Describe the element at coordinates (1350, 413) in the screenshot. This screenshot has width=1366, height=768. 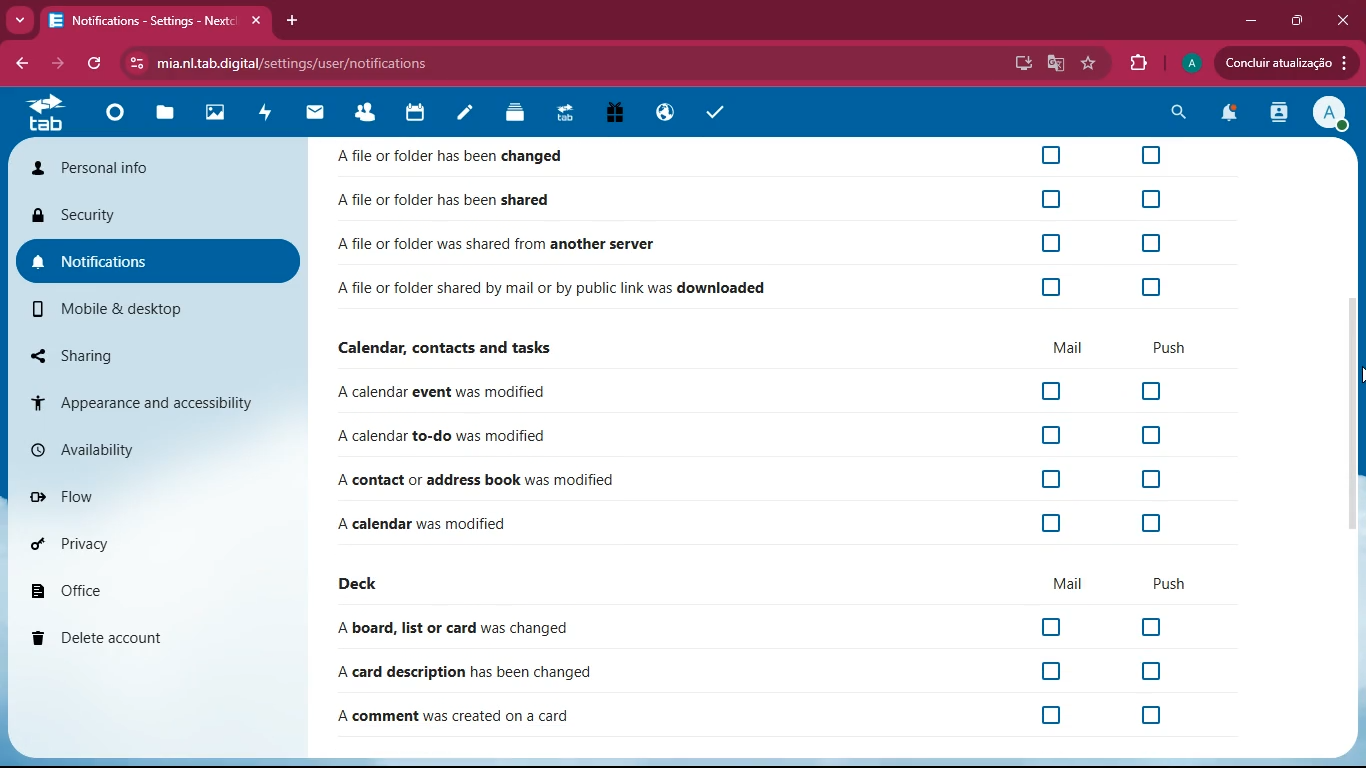
I see `scroll bar ` at that location.